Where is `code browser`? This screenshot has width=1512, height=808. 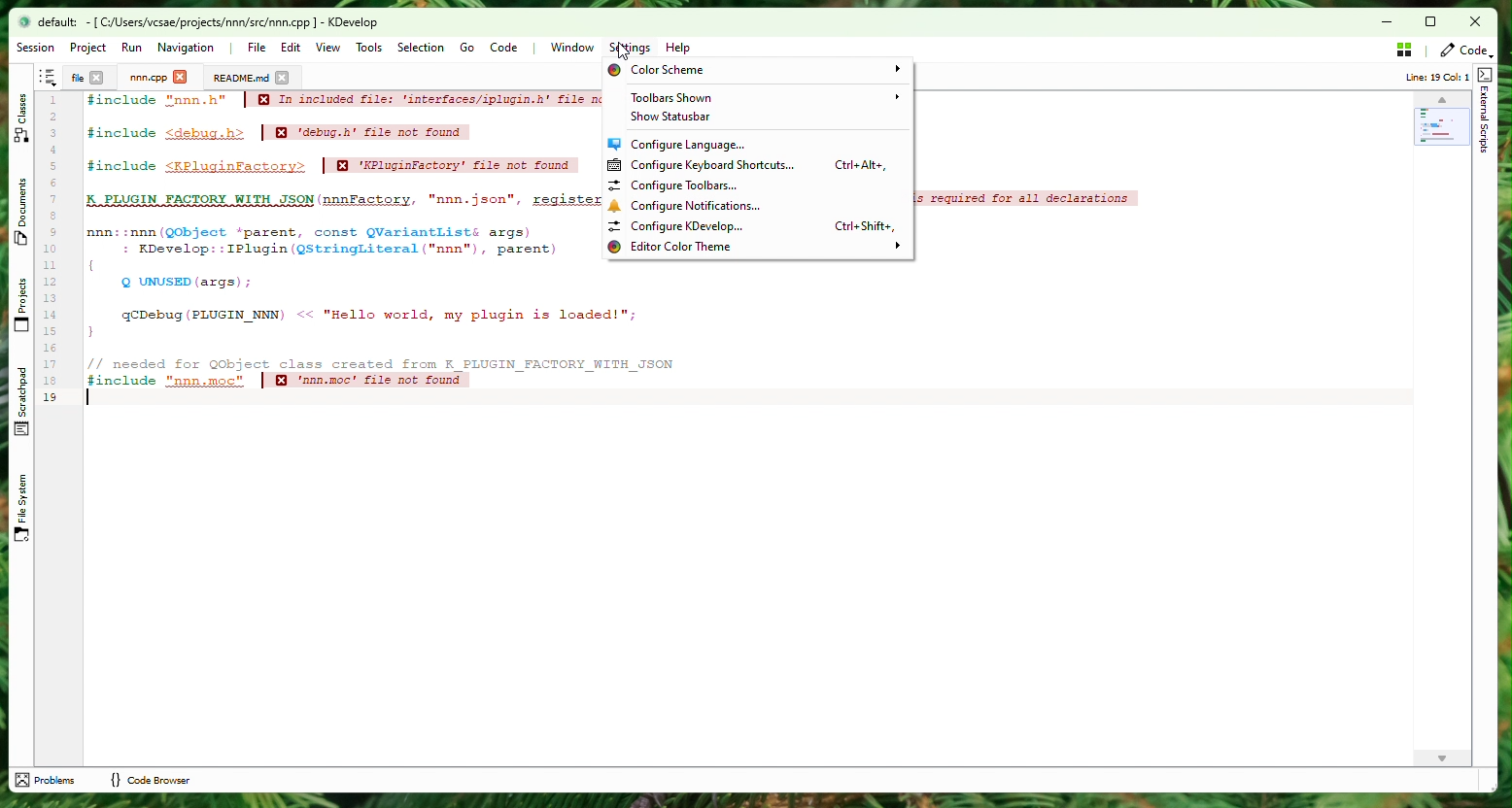 code browser is located at coordinates (155, 782).